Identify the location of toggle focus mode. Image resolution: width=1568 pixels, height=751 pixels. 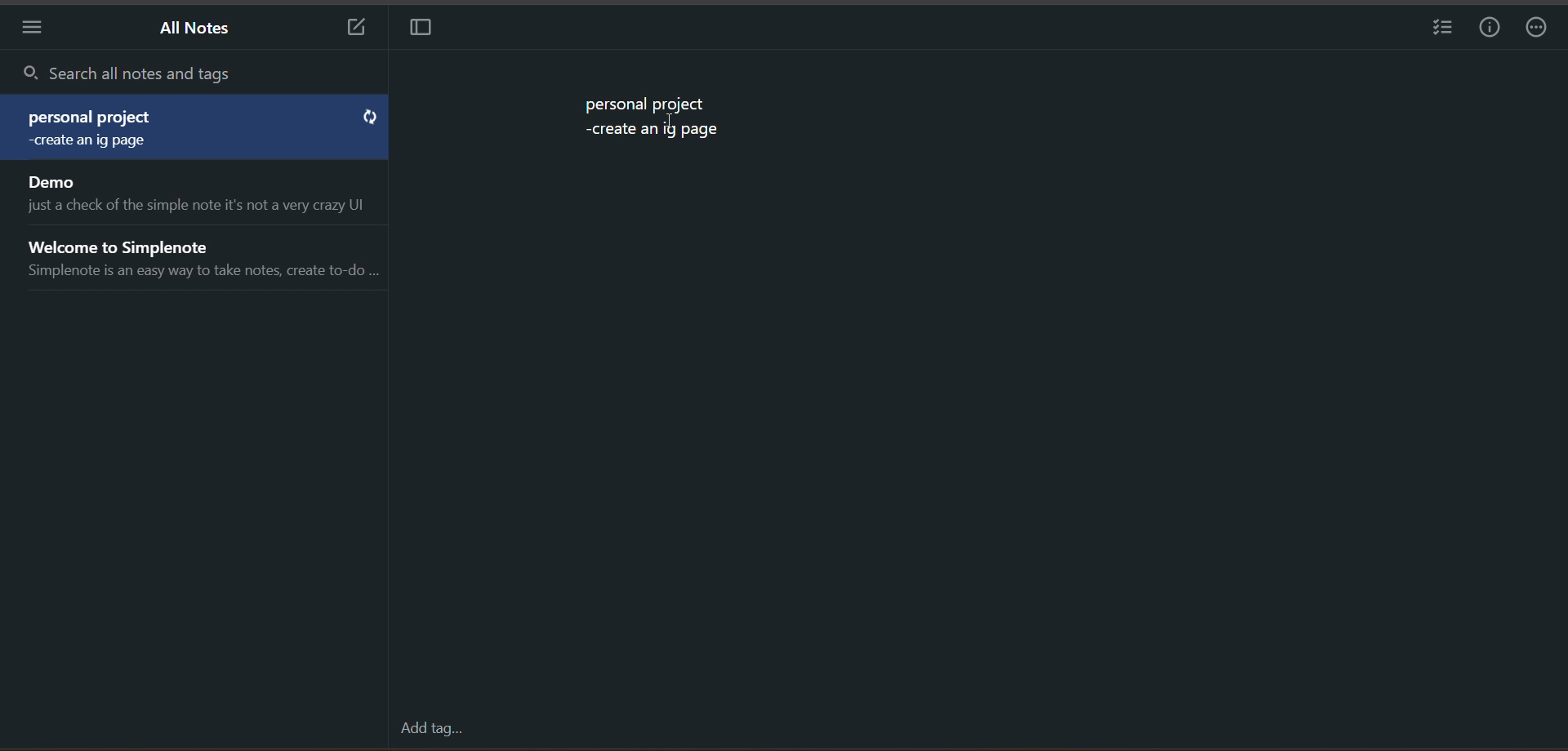
(421, 29).